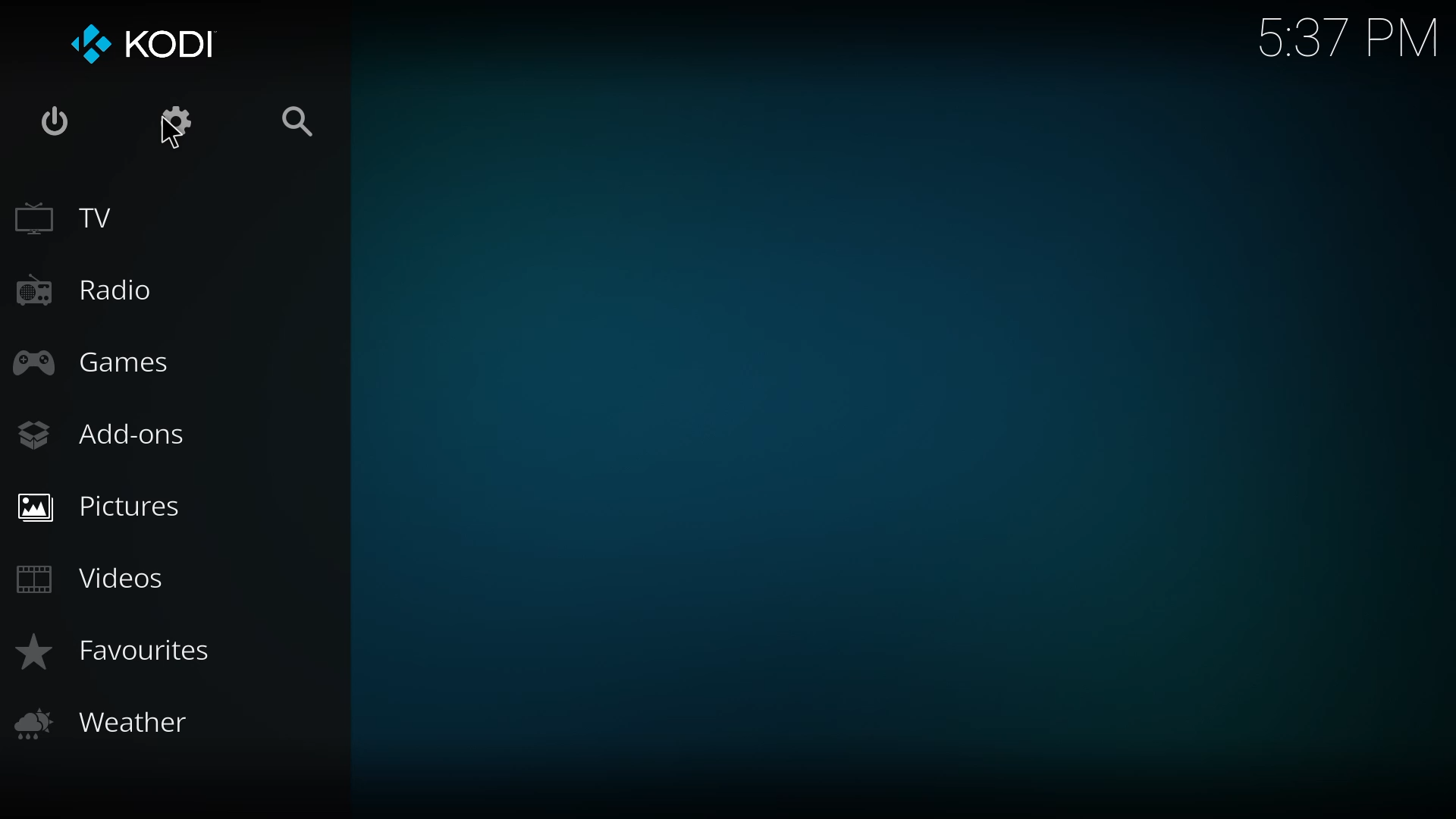 The height and width of the screenshot is (819, 1456). I want to click on radio, so click(94, 292).